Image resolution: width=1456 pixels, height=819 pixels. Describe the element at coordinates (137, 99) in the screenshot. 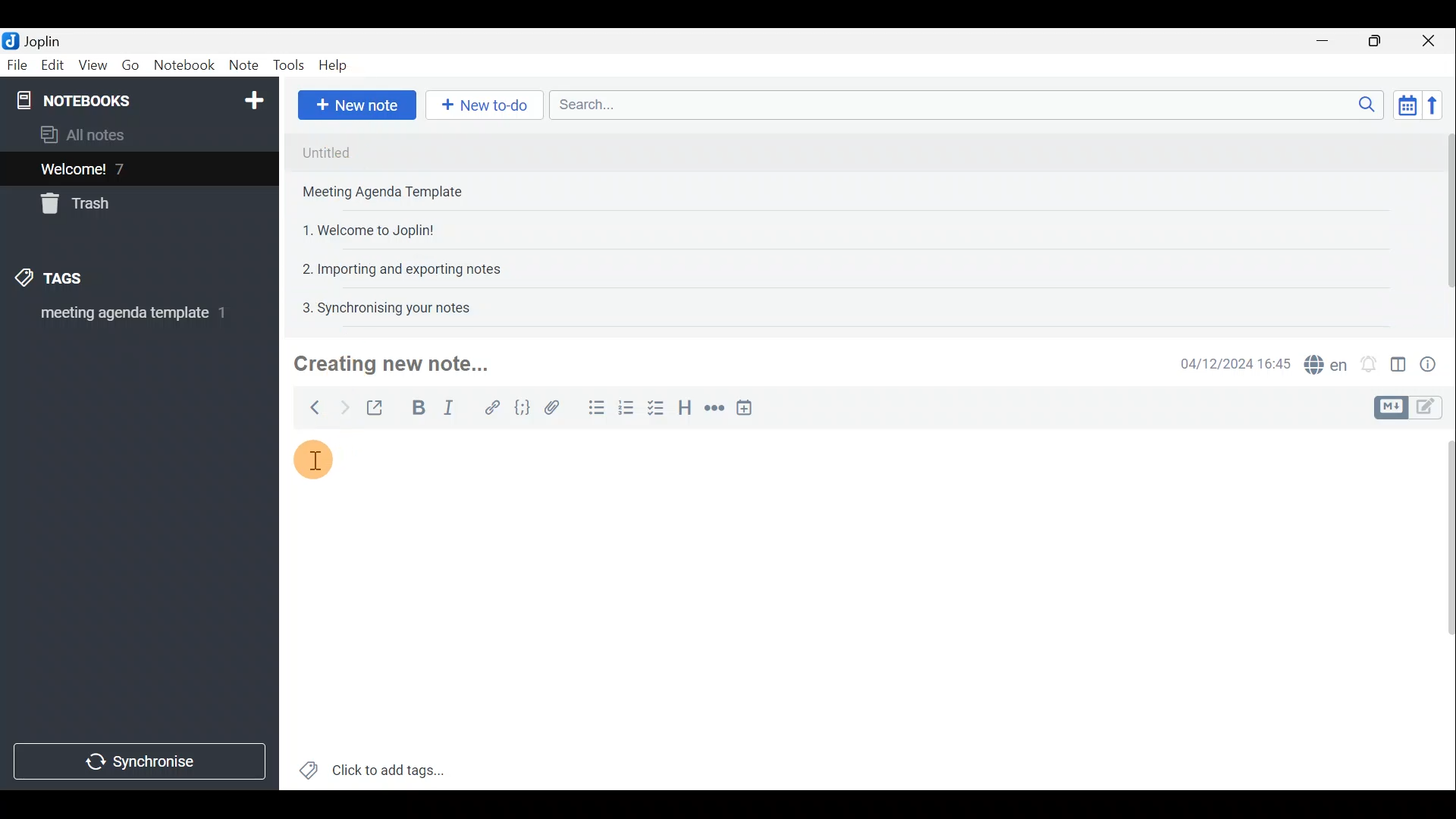

I see `Notebook` at that location.